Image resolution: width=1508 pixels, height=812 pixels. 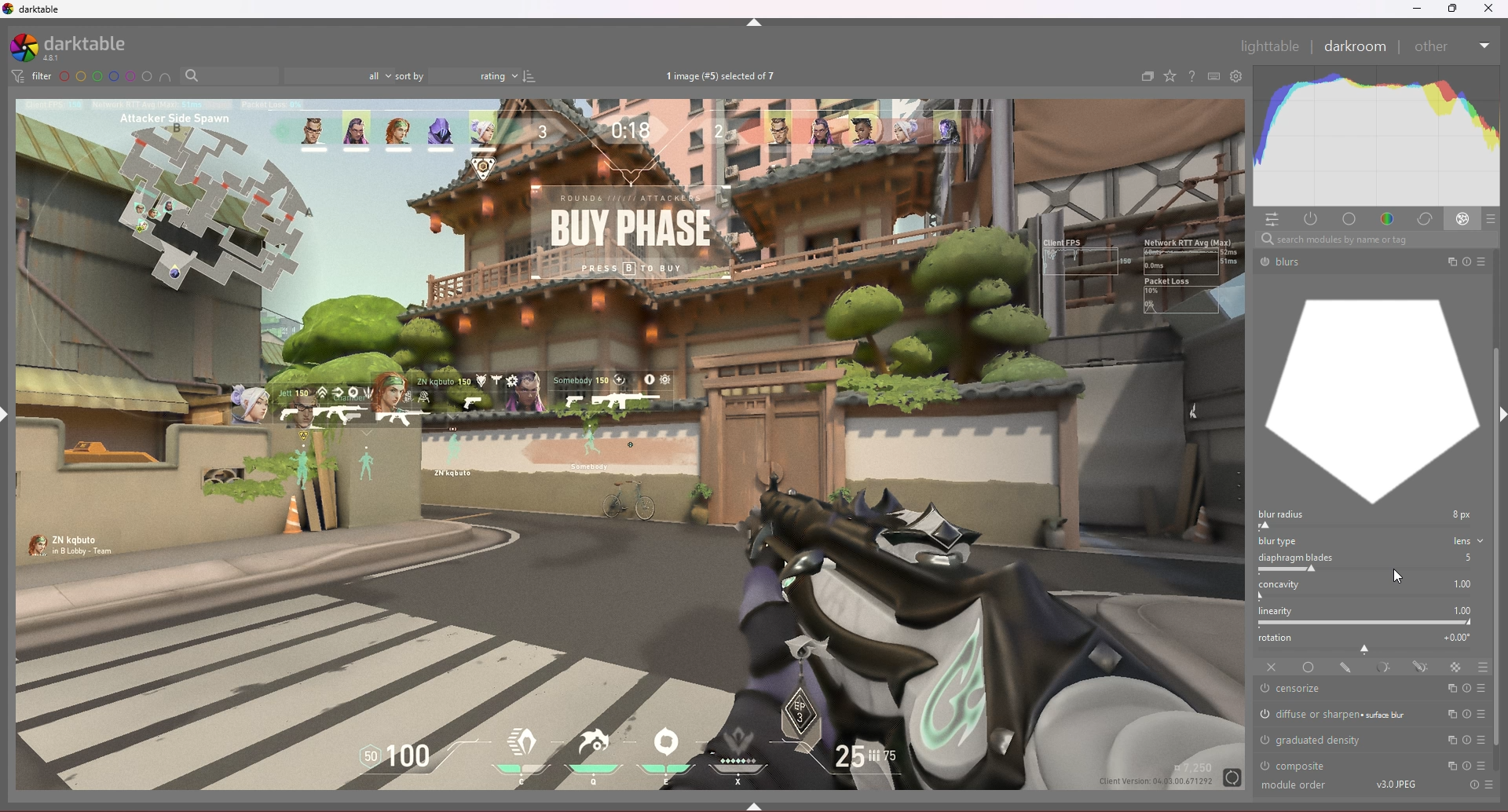 What do you see at coordinates (1395, 785) in the screenshot?
I see `` at bounding box center [1395, 785].